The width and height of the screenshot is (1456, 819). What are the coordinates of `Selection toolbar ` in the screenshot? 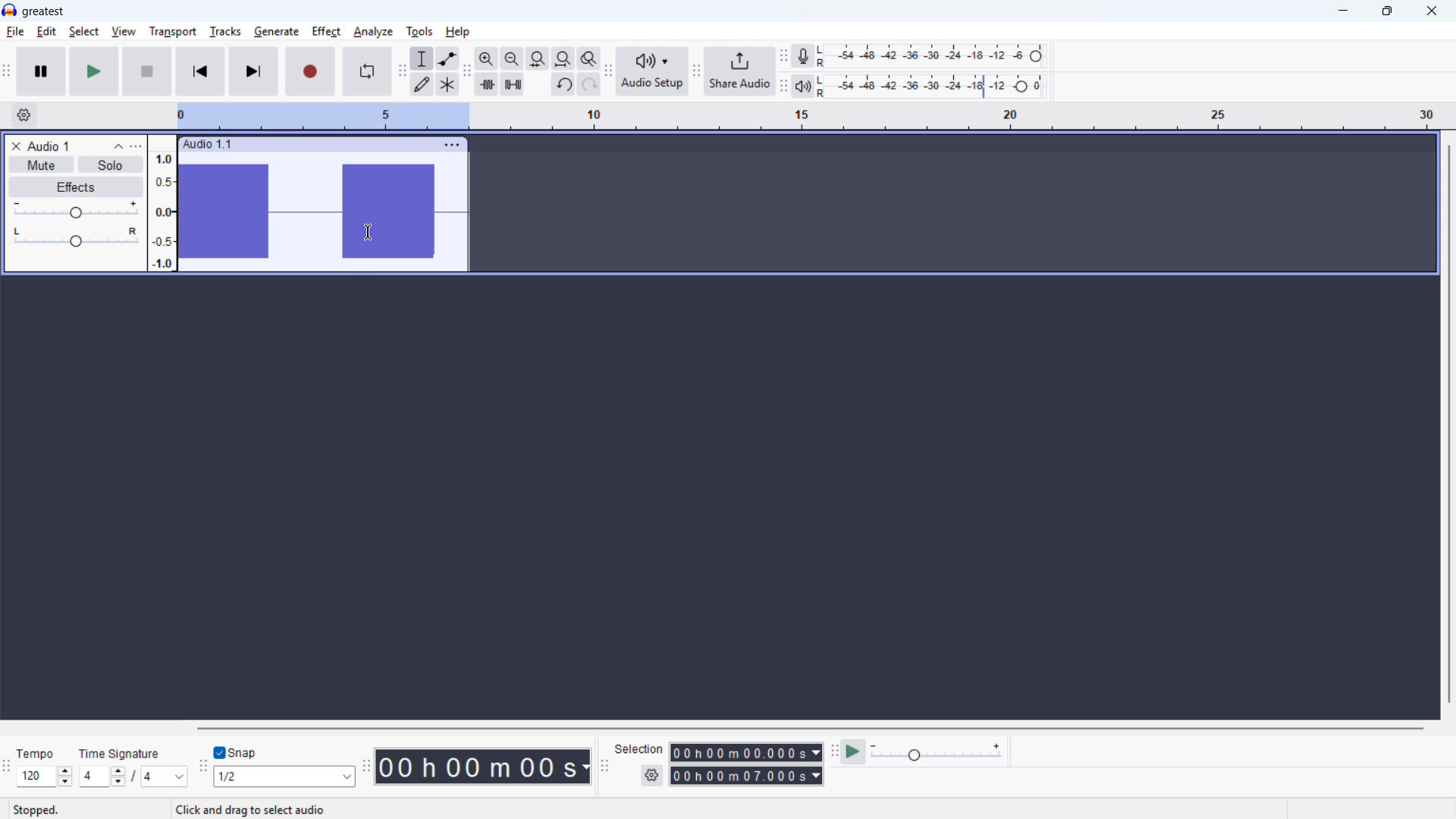 It's located at (607, 768).